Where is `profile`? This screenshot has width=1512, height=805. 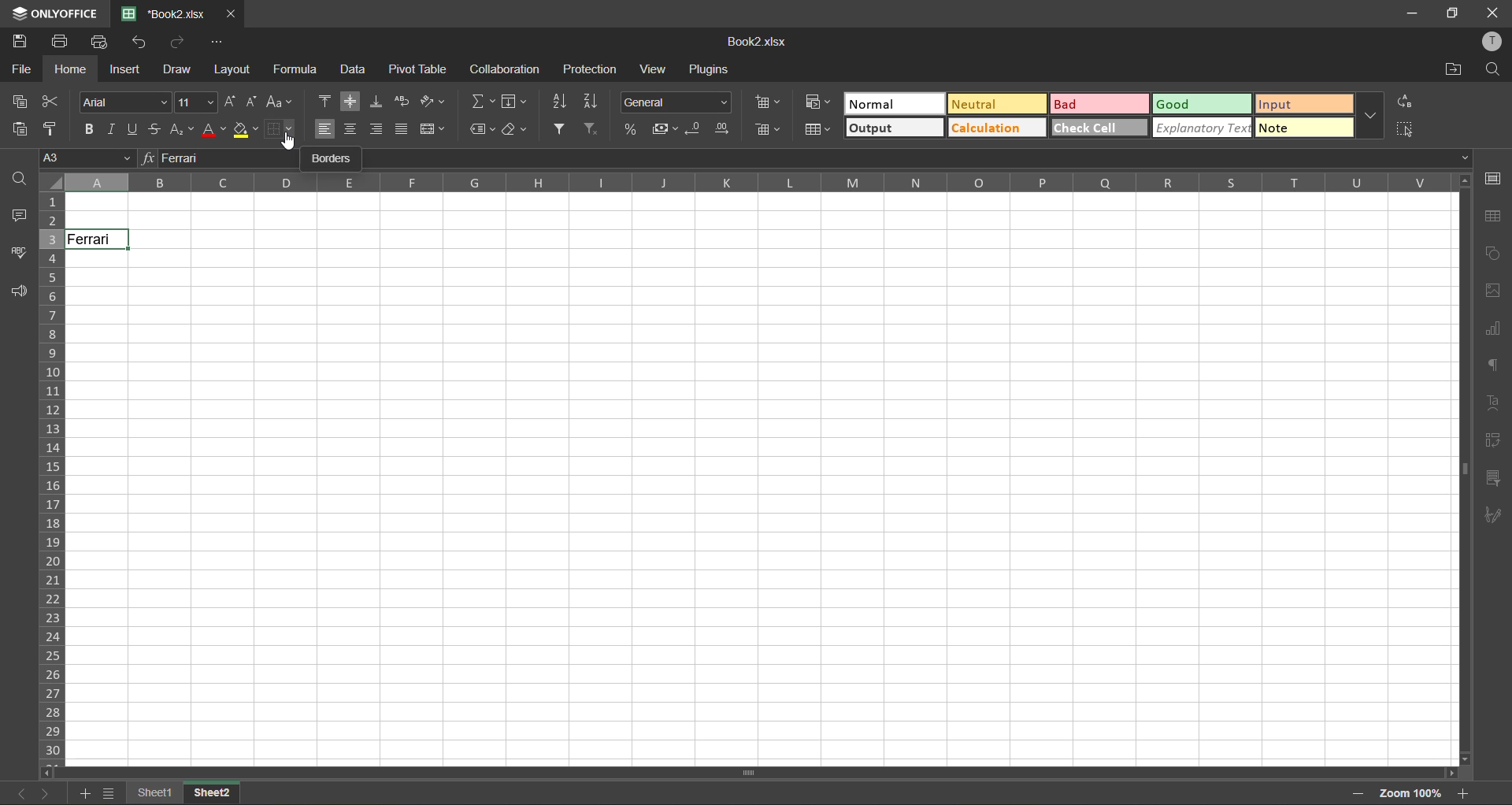 profile is located at coordinates (1494, 43).